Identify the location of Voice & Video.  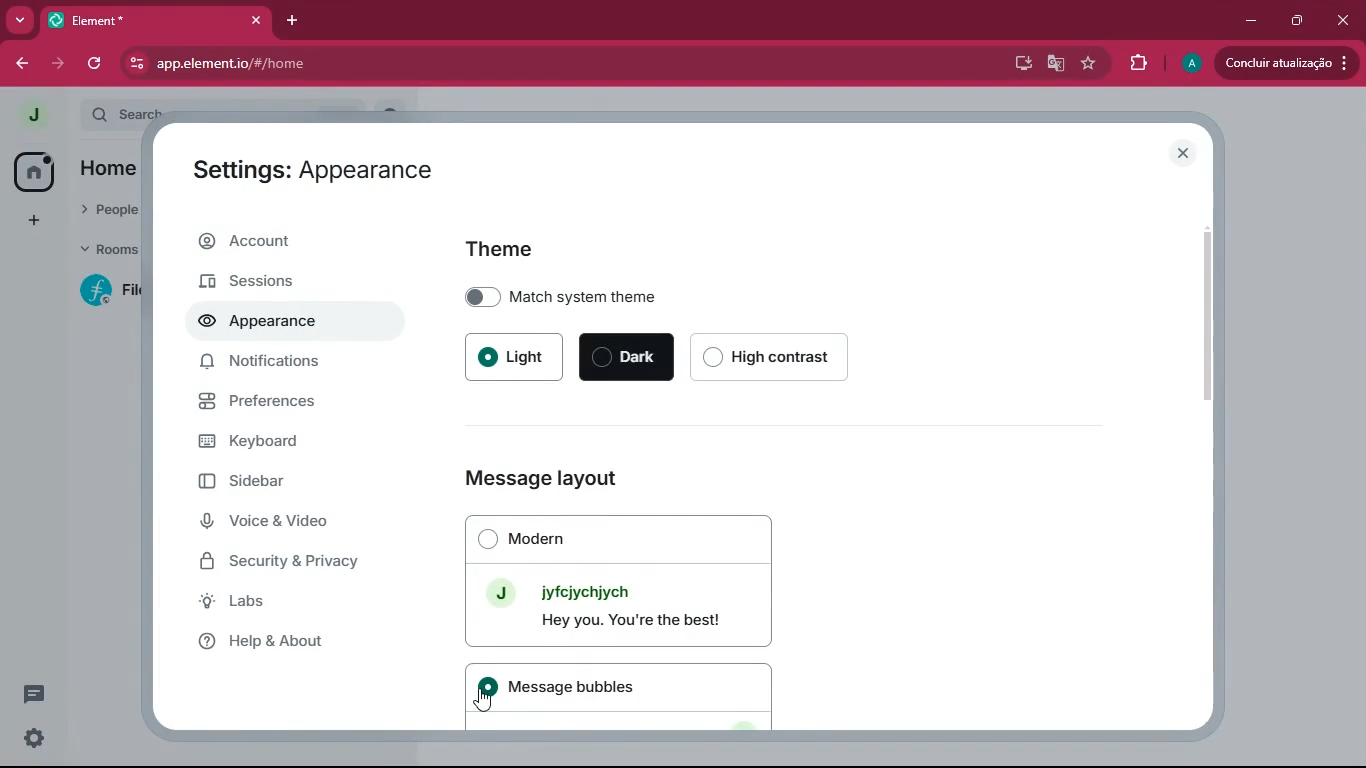
(276, 518).